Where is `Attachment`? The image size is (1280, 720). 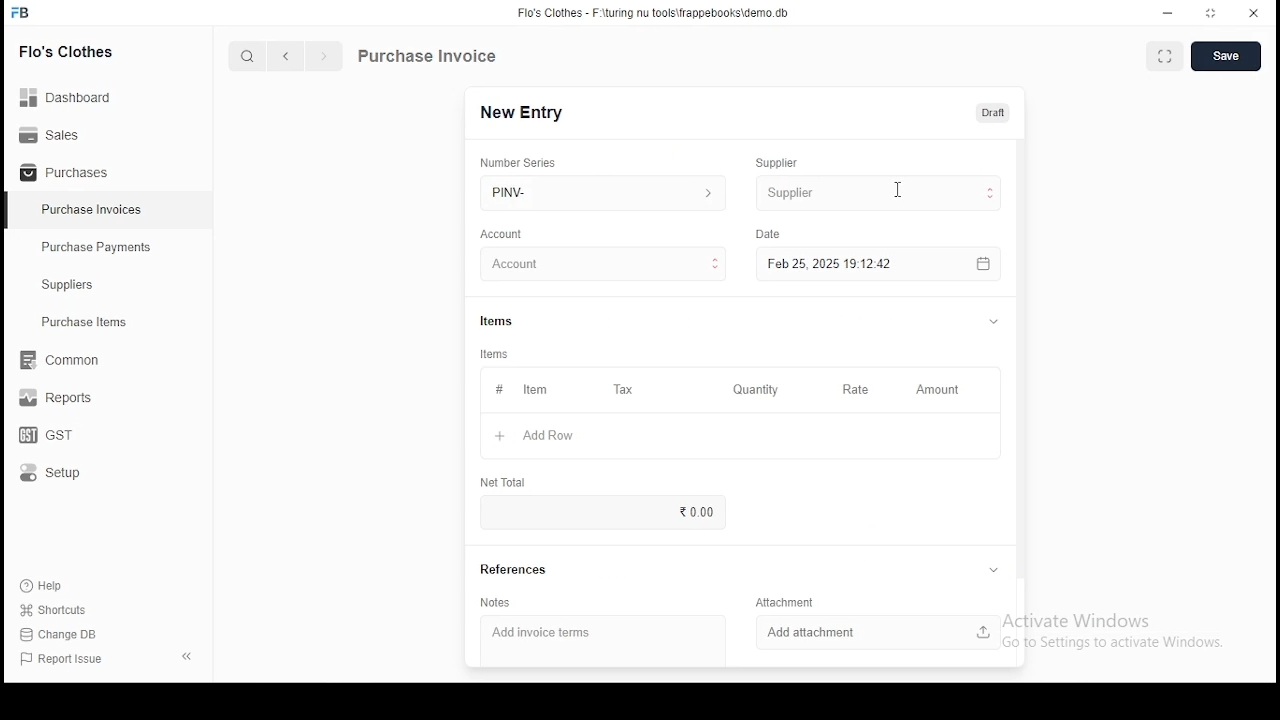 Attachment is located at coordinates (788, 602).